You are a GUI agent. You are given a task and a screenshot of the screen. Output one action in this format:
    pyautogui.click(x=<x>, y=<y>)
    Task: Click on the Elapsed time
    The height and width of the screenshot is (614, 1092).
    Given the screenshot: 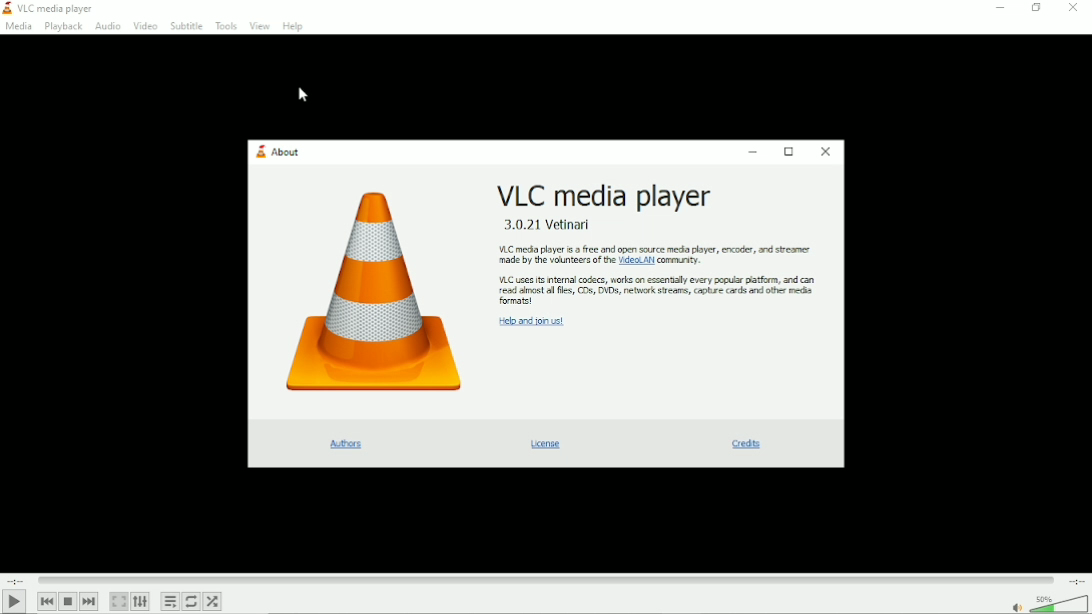 What is the action you would take?
    pyautogui.click(x=15, y=580)
    